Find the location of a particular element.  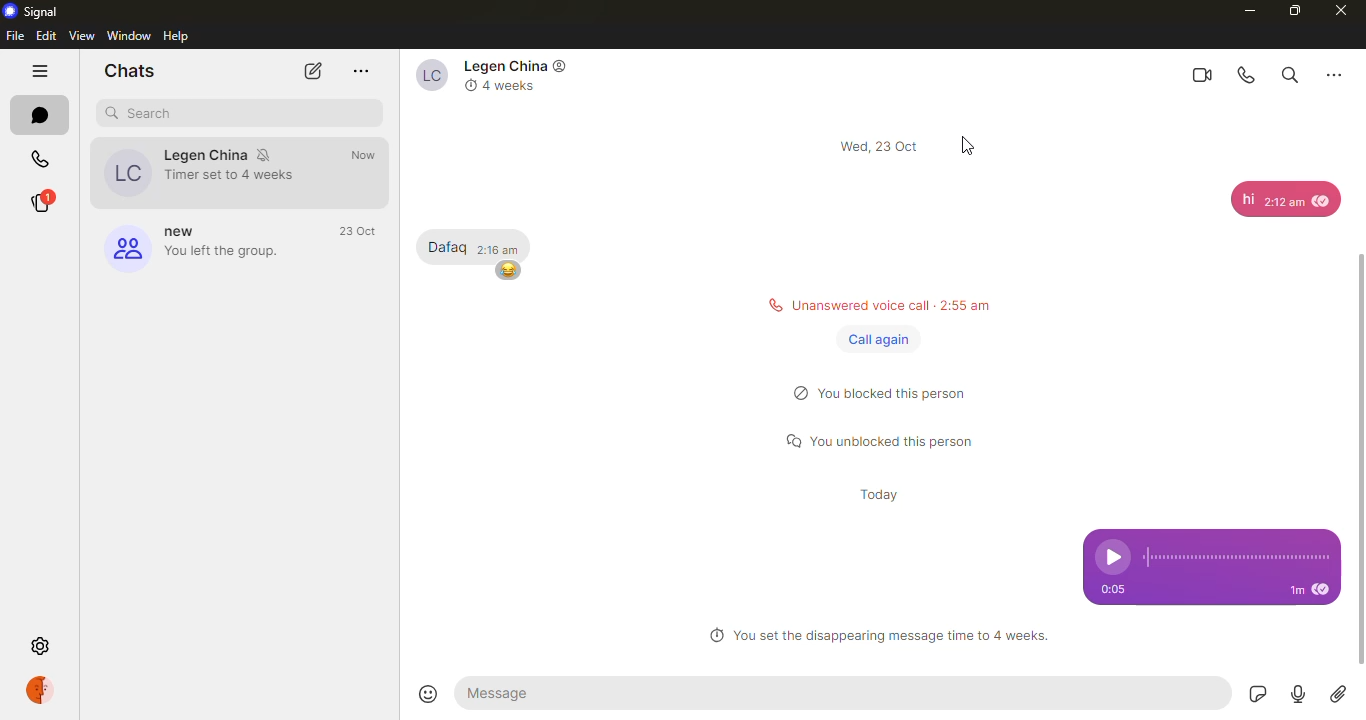

window is located at coordinates (128, 35).